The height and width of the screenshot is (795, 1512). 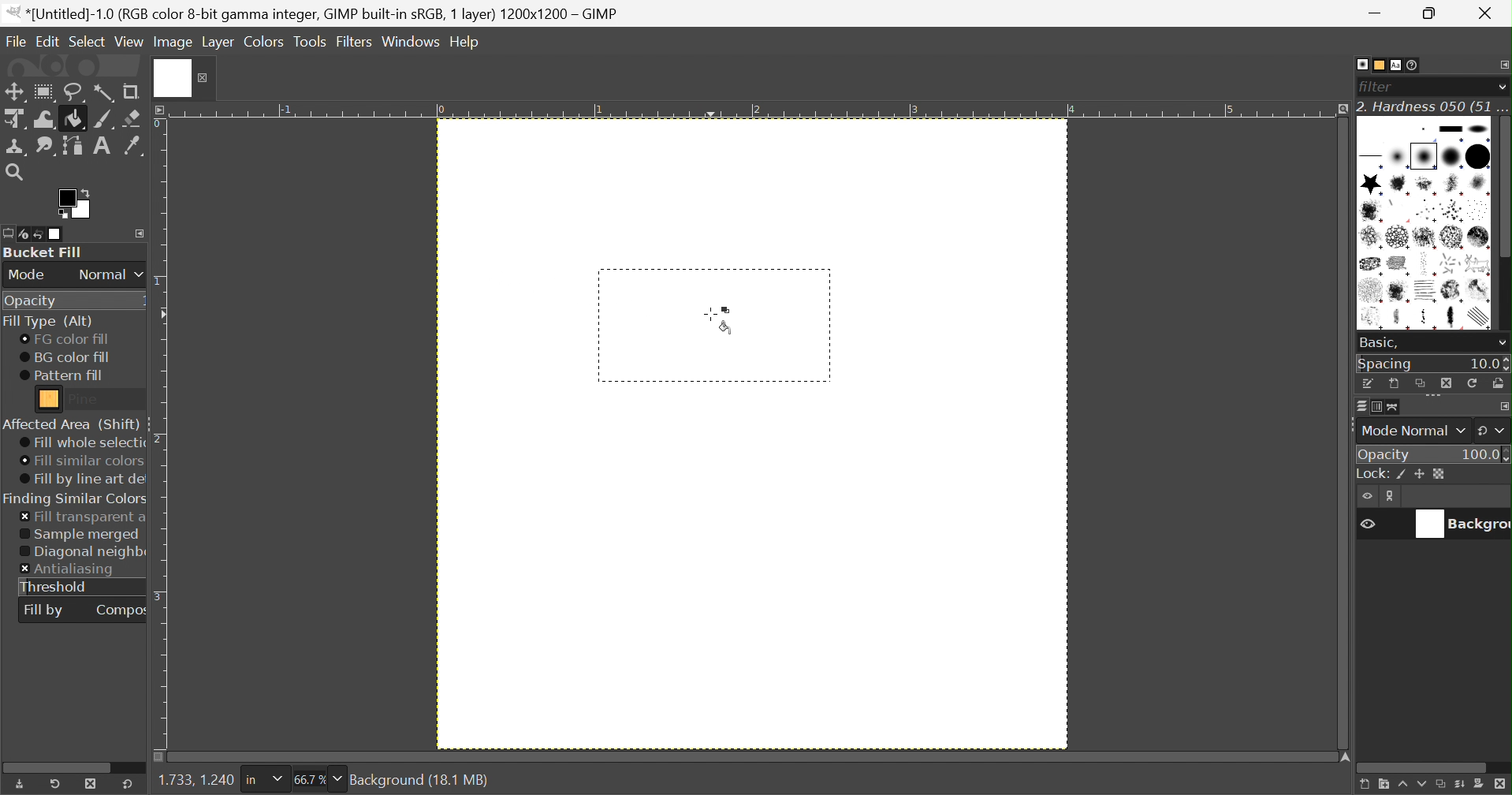 I want to click on Diagonal neighbours, so click(x=82, y=553).